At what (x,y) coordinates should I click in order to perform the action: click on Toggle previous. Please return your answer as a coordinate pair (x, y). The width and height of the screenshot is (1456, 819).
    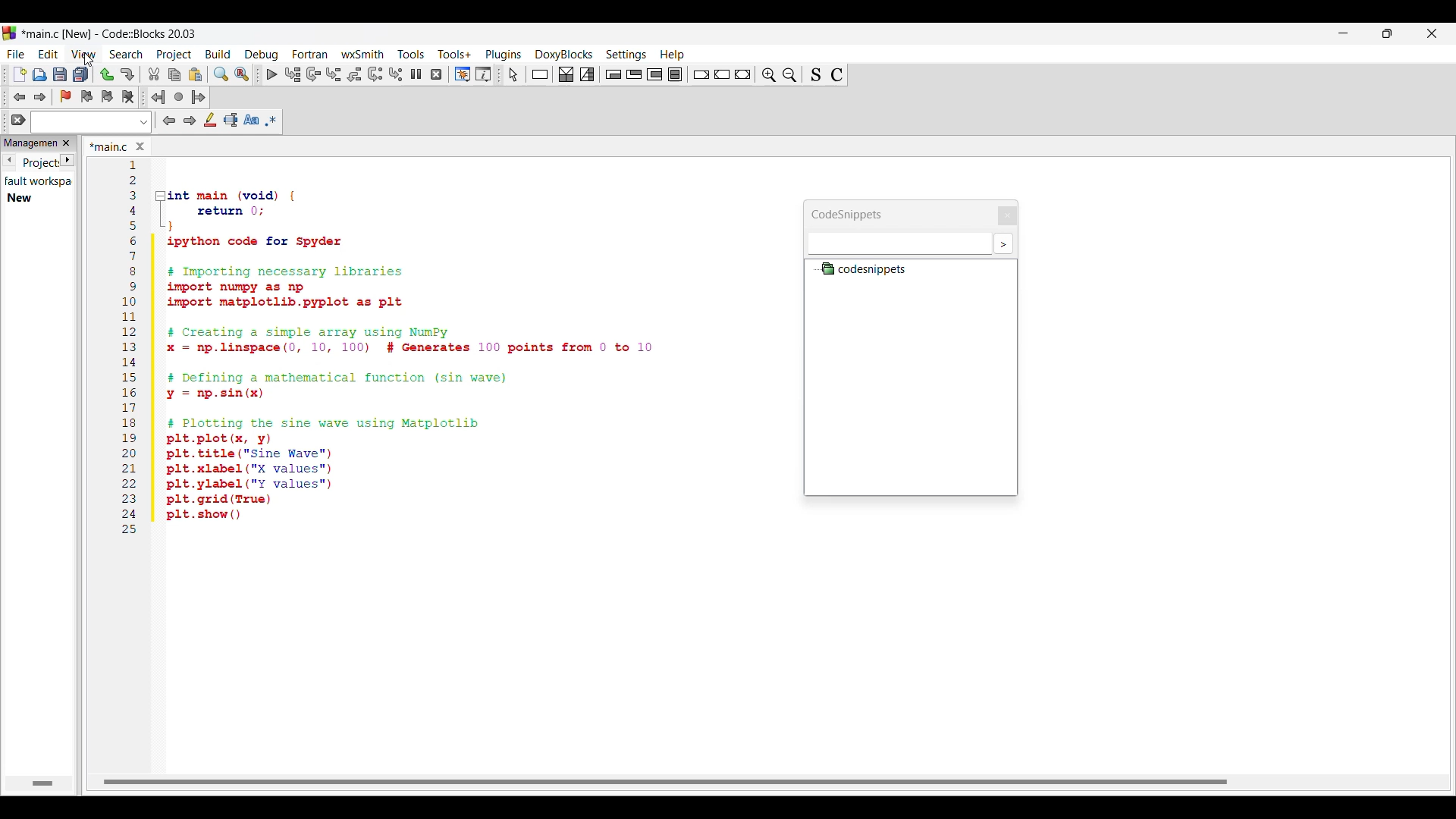
    Looking at the image, I should click on (86, 96).